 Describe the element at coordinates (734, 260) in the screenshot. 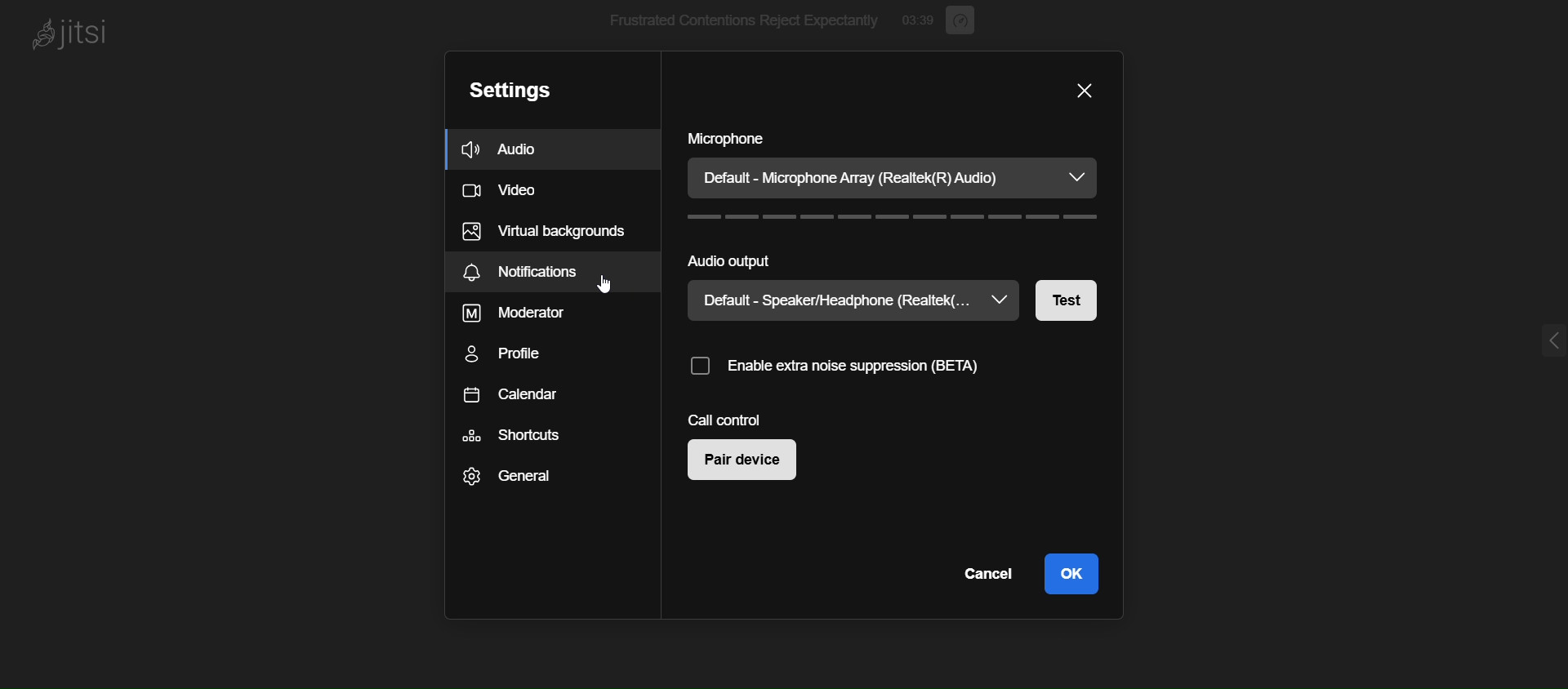

I see `audio output` at that location.